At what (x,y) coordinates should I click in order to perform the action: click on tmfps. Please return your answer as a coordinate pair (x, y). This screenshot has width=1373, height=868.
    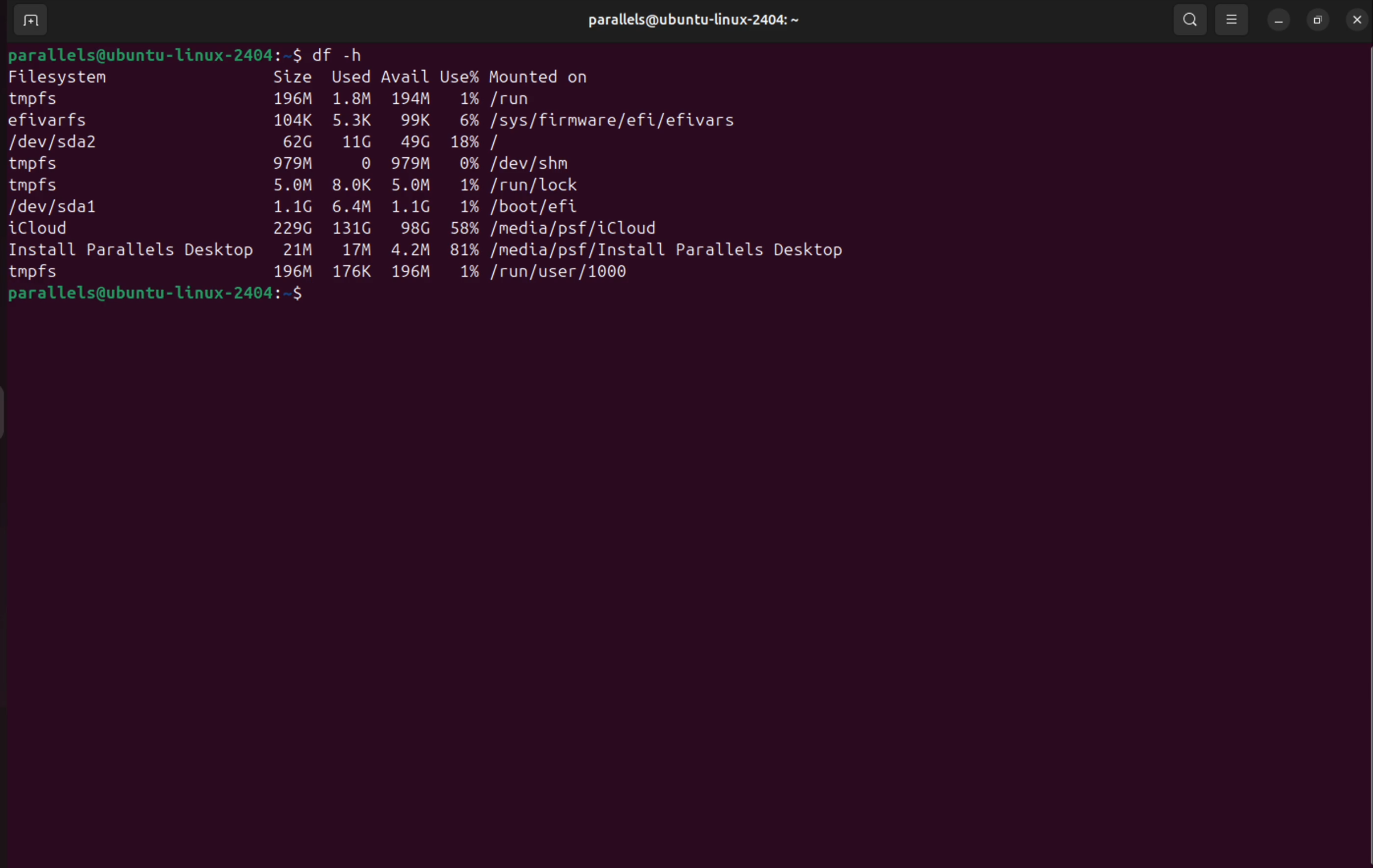
    Looking at the image, I should click on (52, 274).